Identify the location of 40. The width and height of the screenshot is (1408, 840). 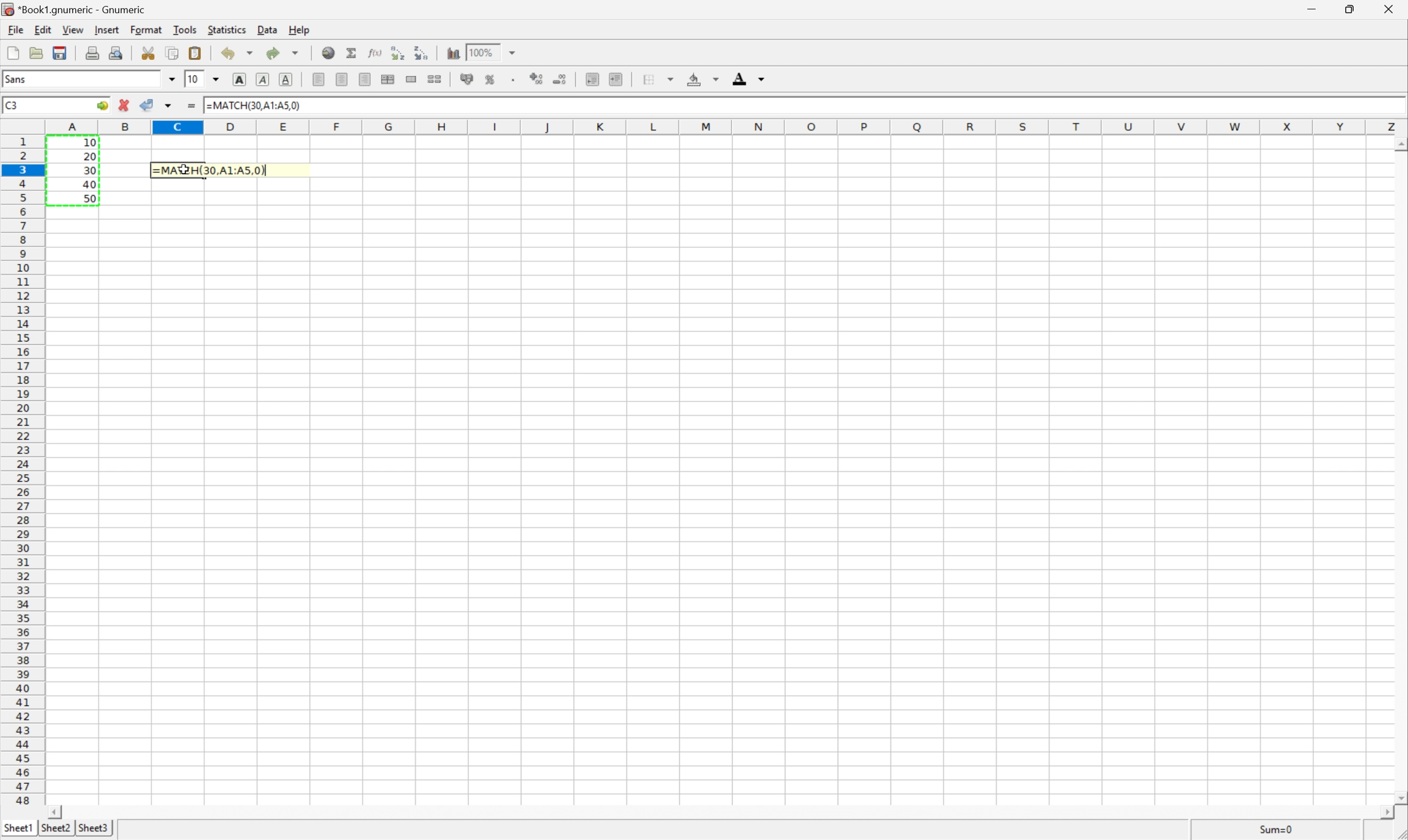
(89, 183).